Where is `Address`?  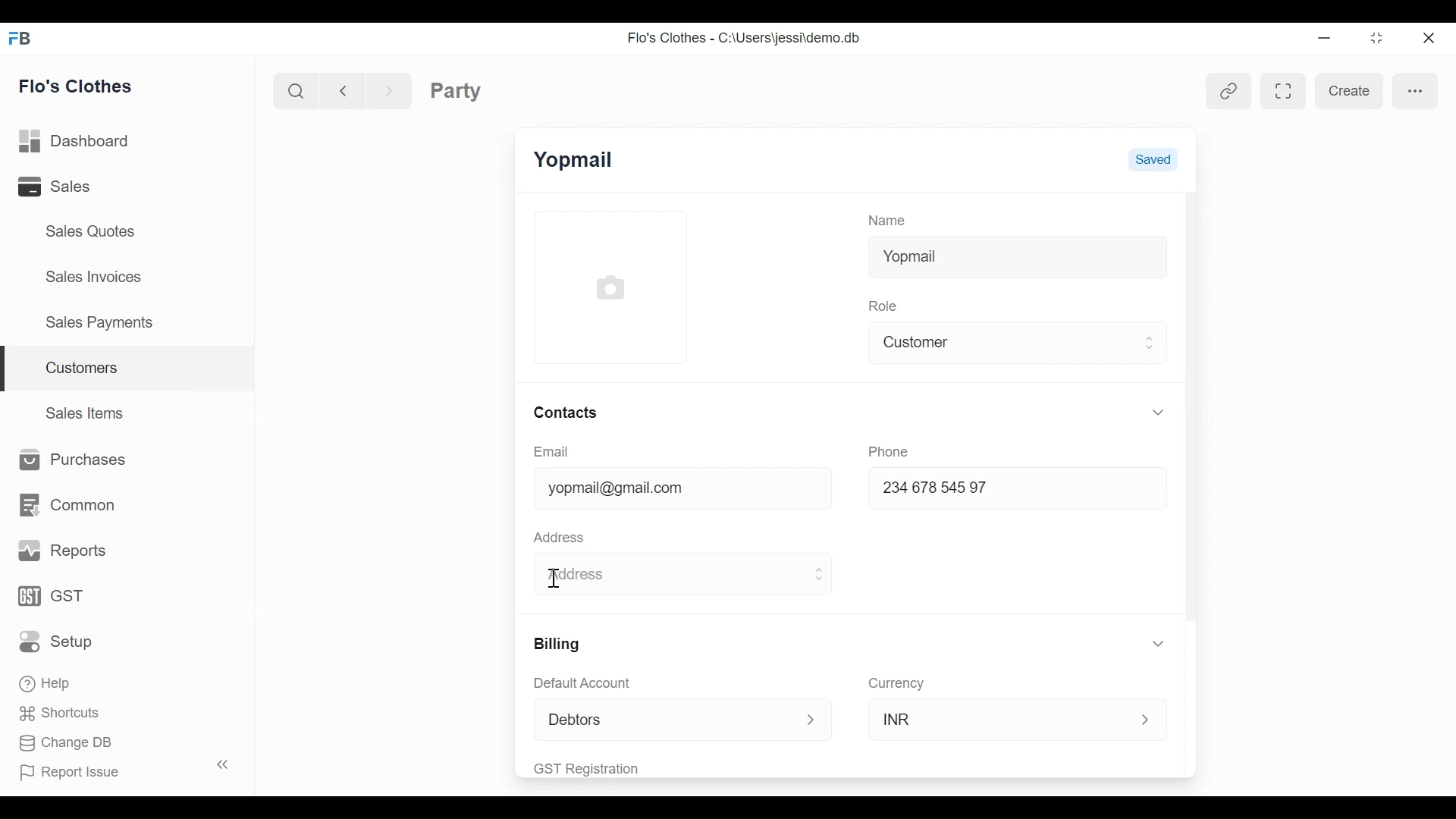
Address is located at coordinates (558, 537).